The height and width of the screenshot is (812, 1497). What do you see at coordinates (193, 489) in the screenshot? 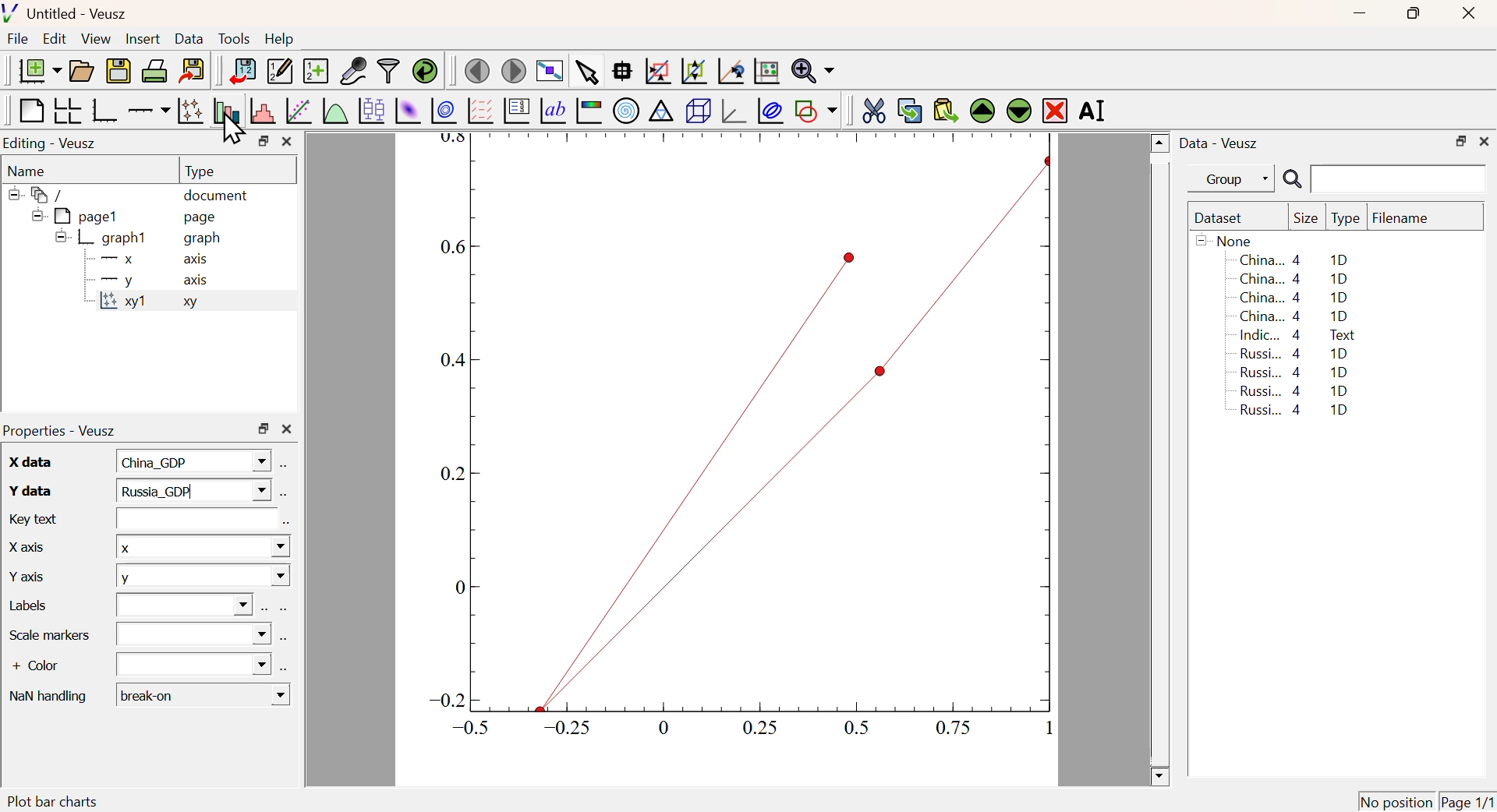
I see `Russia_GDP` at bounding box center [193, 489].